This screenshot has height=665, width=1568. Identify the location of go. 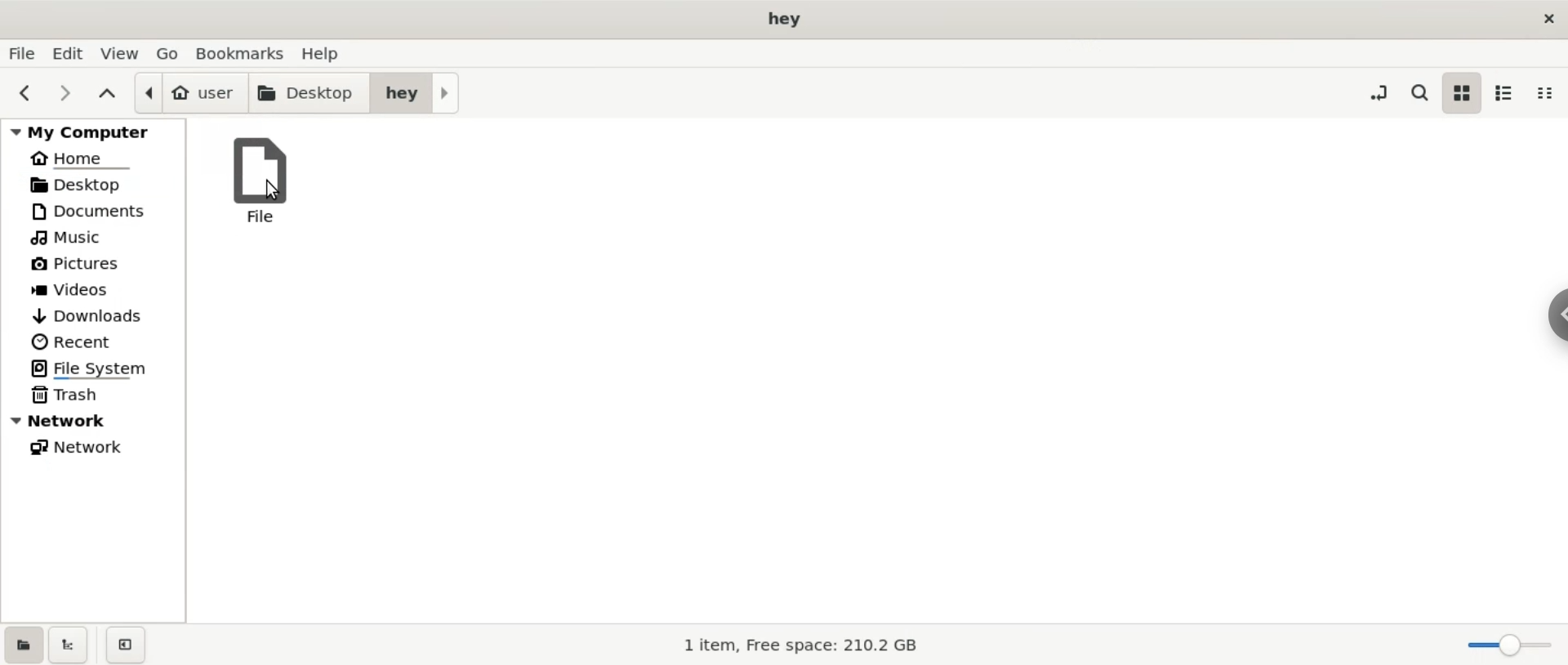
(163, 54).